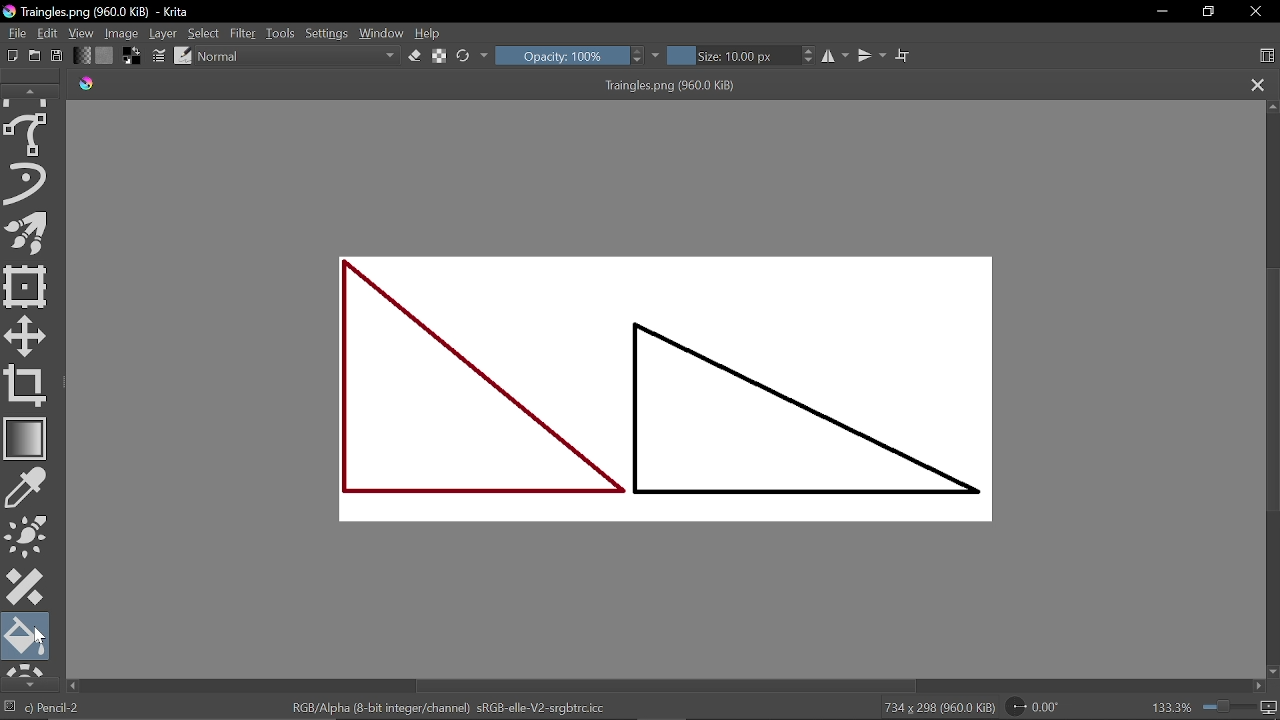 The width and height of the screenshot is (1280, 720). What do you see at coordinates (28, 336) in the screenshot?
I see `Move a layer` at bounding box center [28, 336].